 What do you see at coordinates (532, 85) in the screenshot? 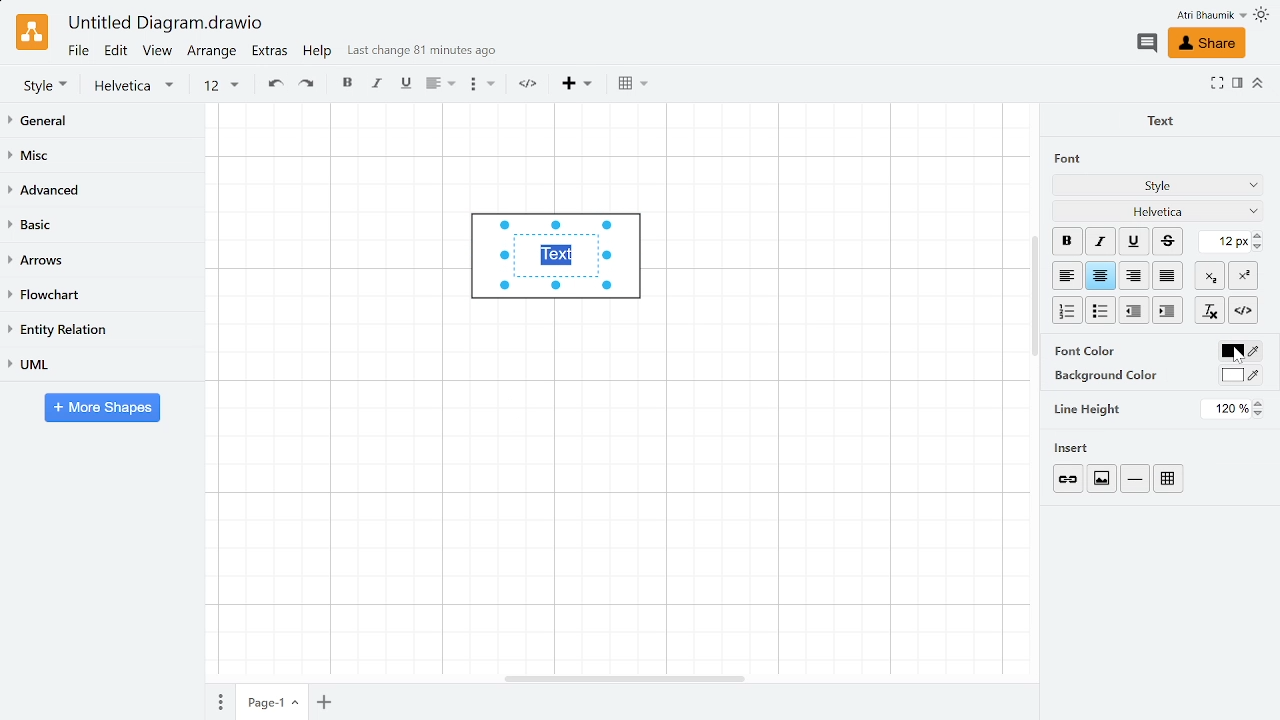
I see `link` at bounding box center [532, 85].